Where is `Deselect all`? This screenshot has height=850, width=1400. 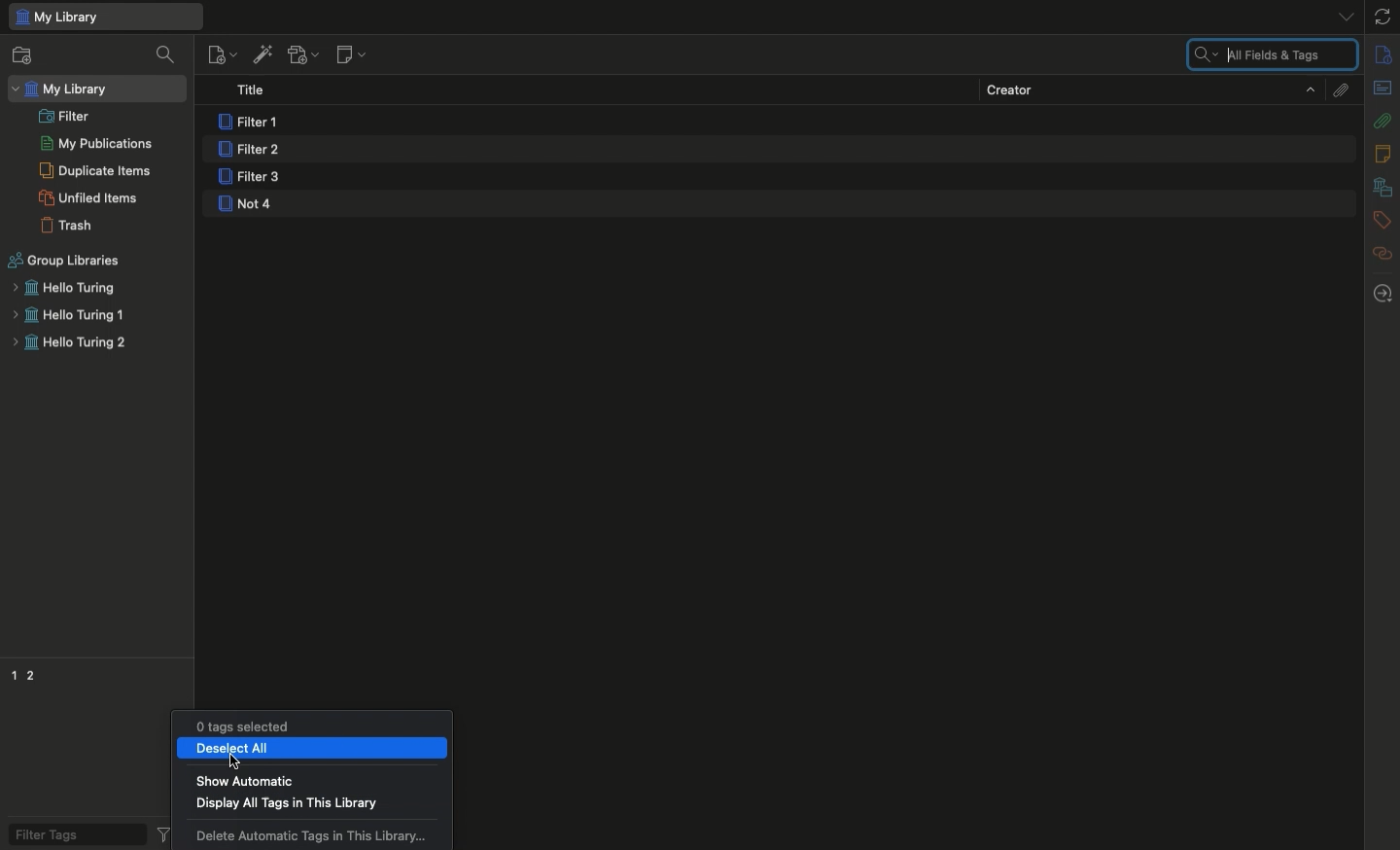
Deselect all is located at coordinates (313, 751).